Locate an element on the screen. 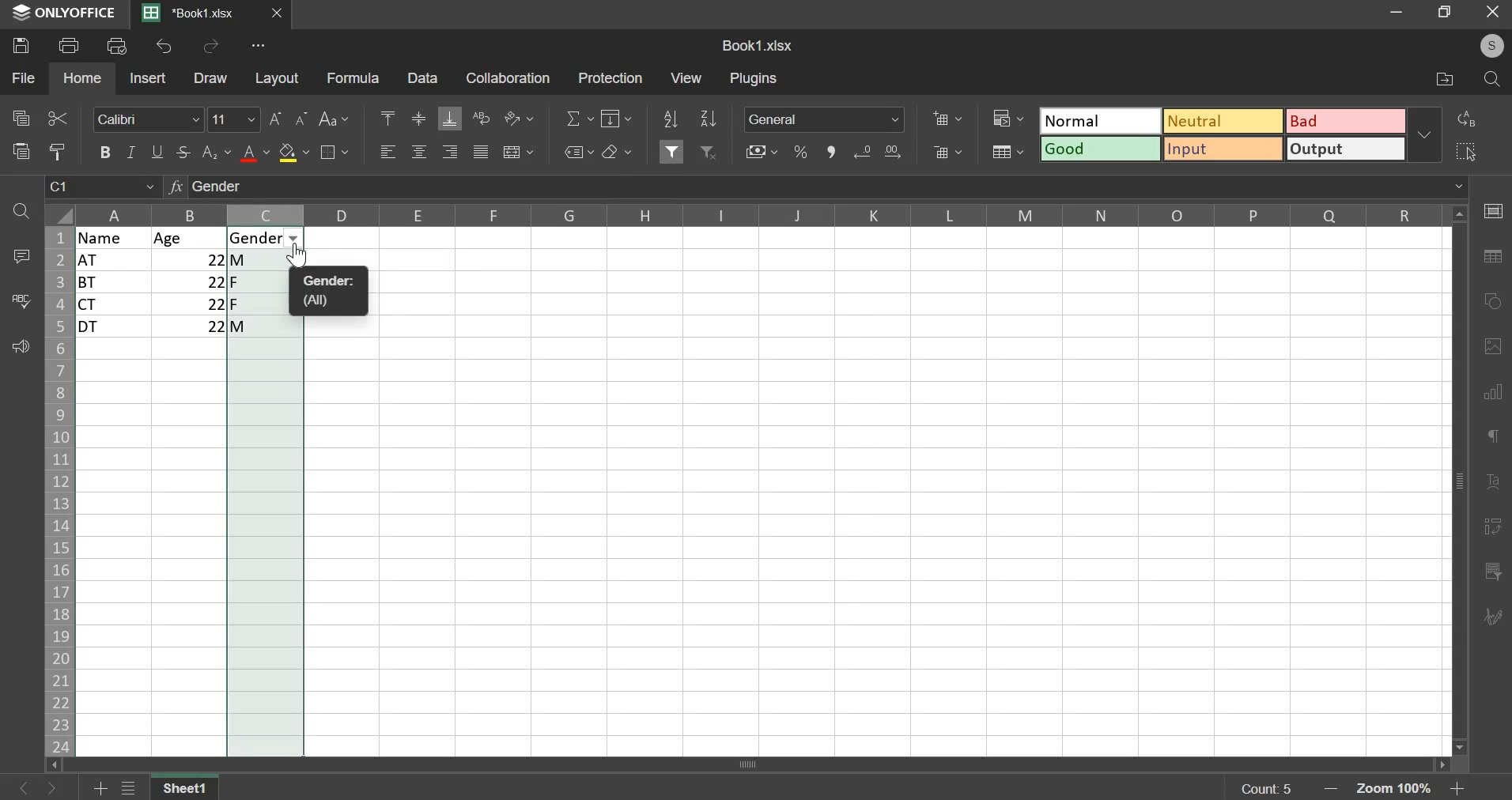 This screenshot has height=800, width=1512. find is located at coordinates (23, 212).